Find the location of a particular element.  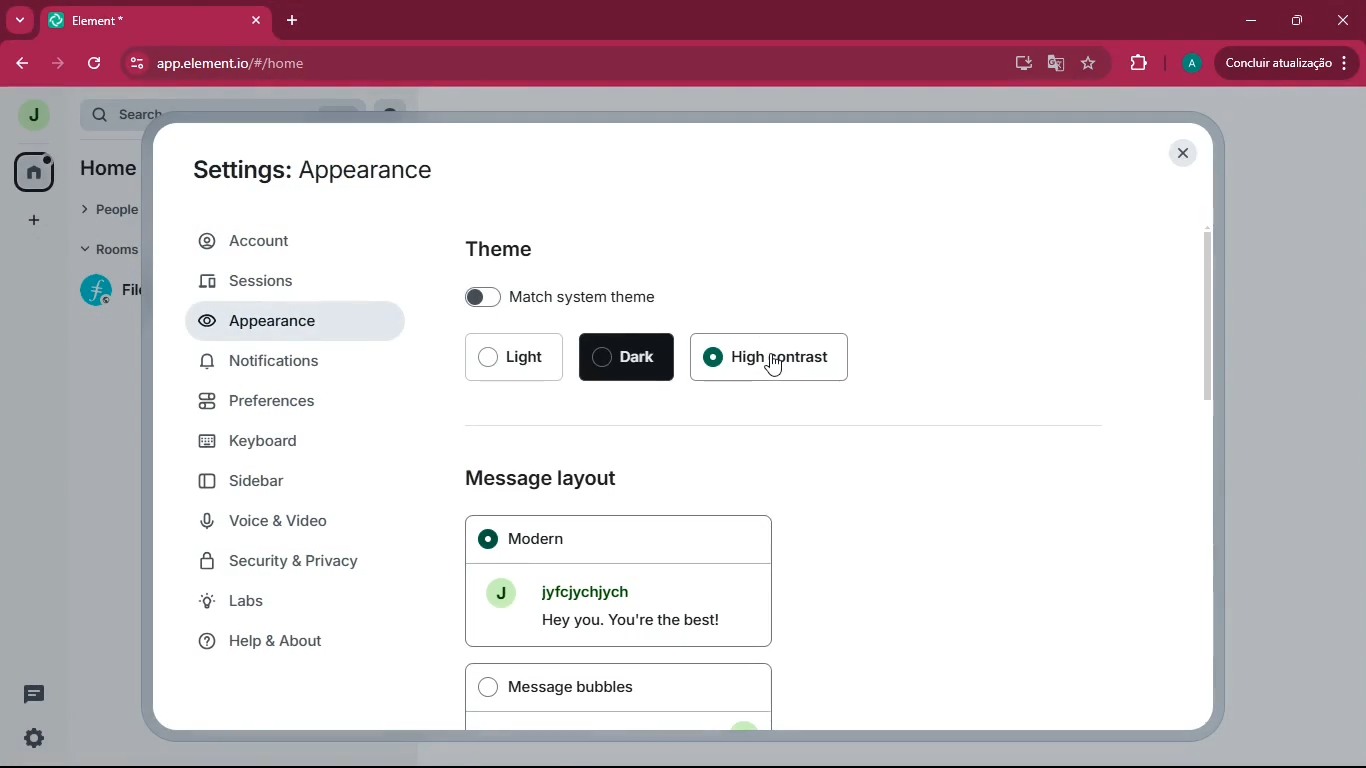

close is located at coordinates (258, 20).